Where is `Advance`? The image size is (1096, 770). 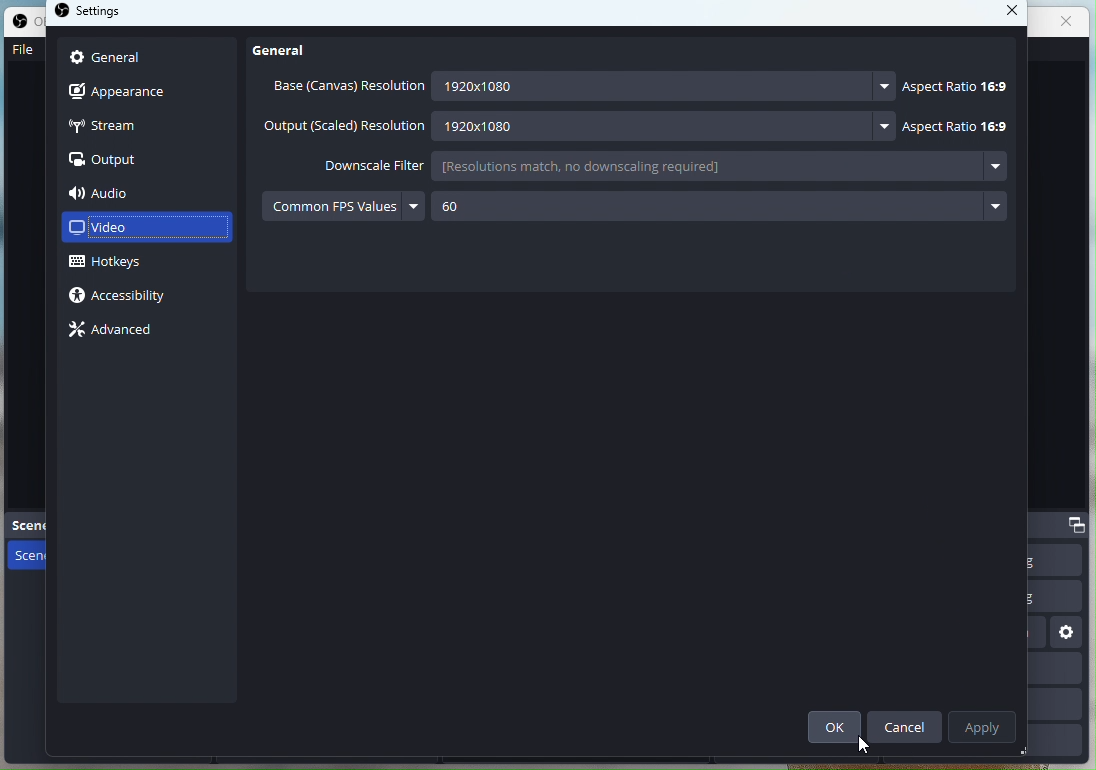 Advance is located at coordinates (116, 327).